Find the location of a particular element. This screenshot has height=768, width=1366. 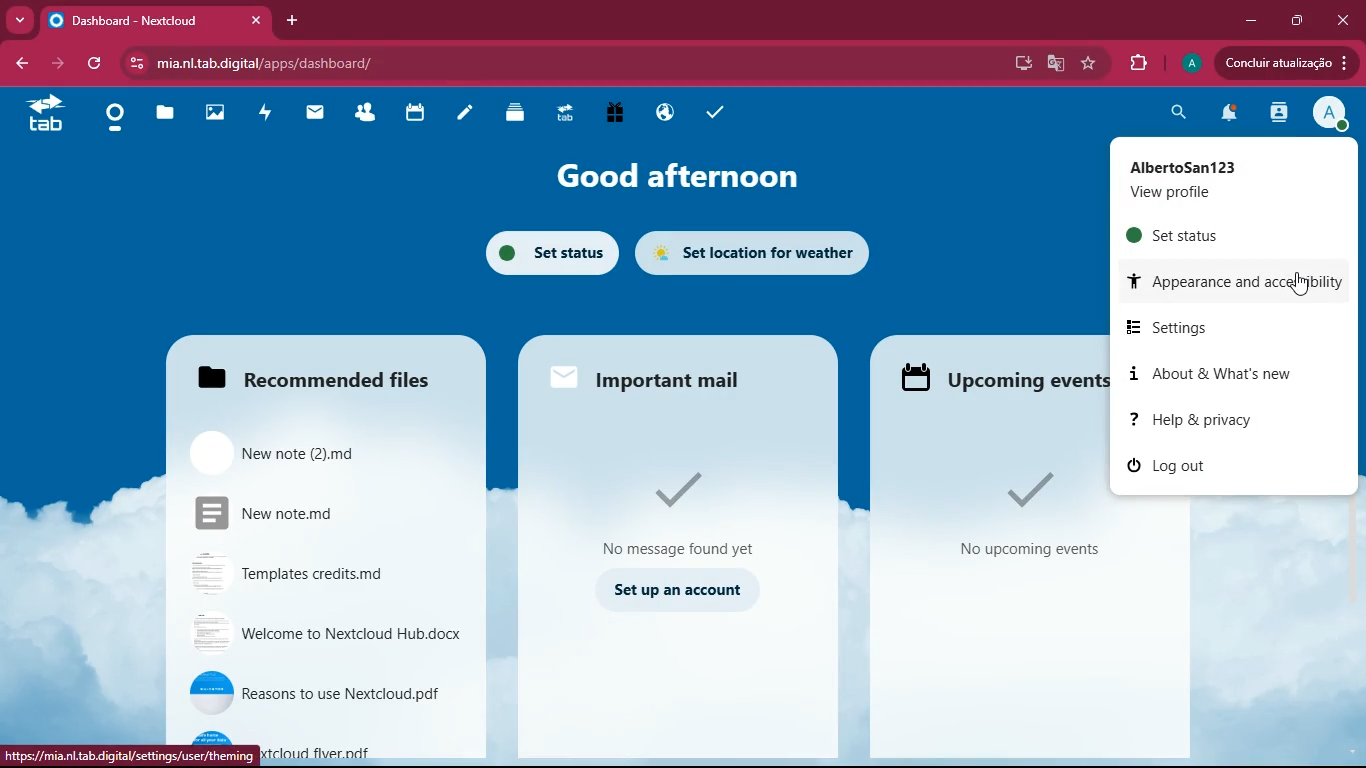

set location for weather is located at coordinates (765, 248).